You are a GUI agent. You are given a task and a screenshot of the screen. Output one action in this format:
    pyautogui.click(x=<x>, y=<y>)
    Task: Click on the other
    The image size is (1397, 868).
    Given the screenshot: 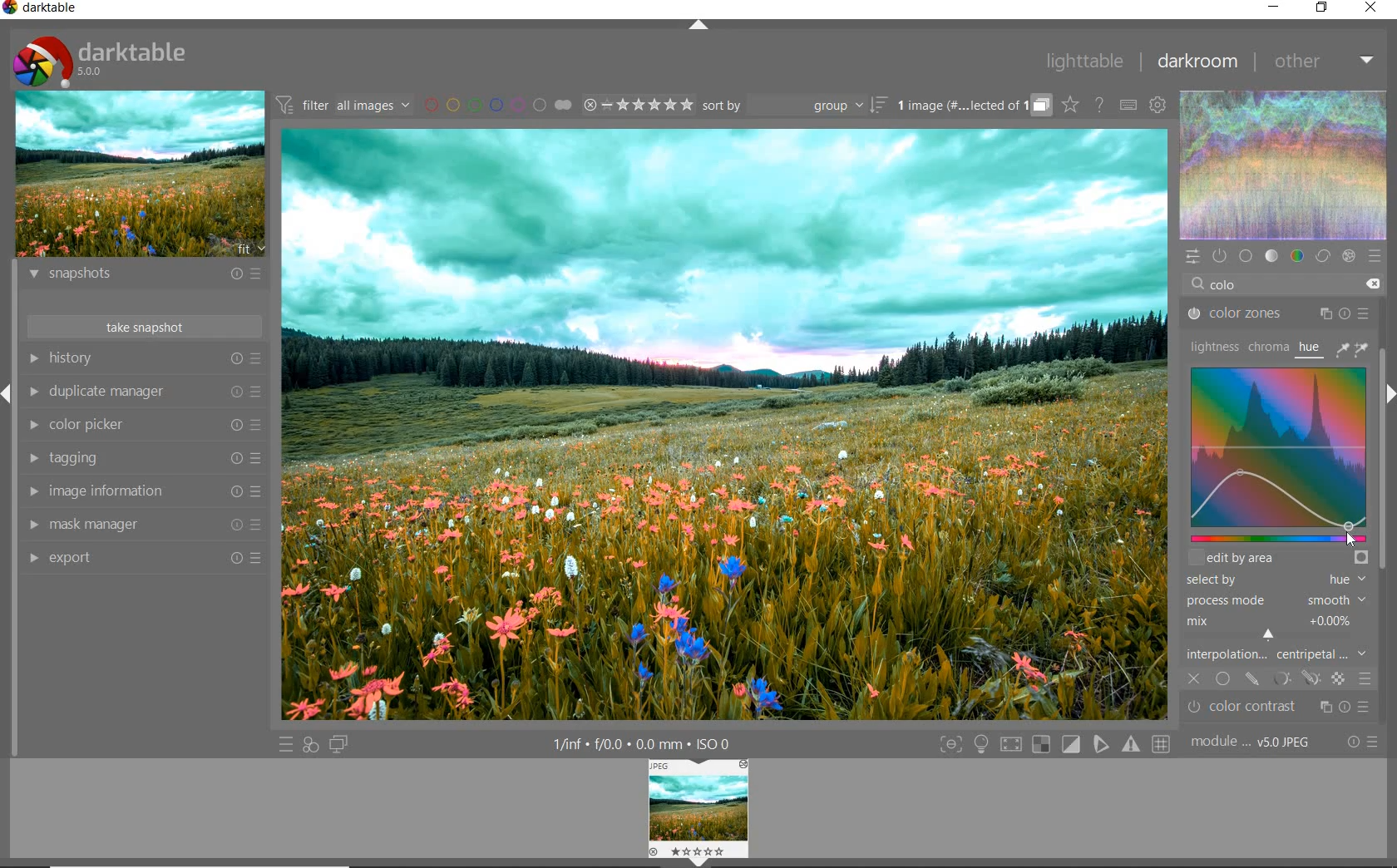 What is the action you would take?
    pyautogui.click(x=1326, y=61)
    